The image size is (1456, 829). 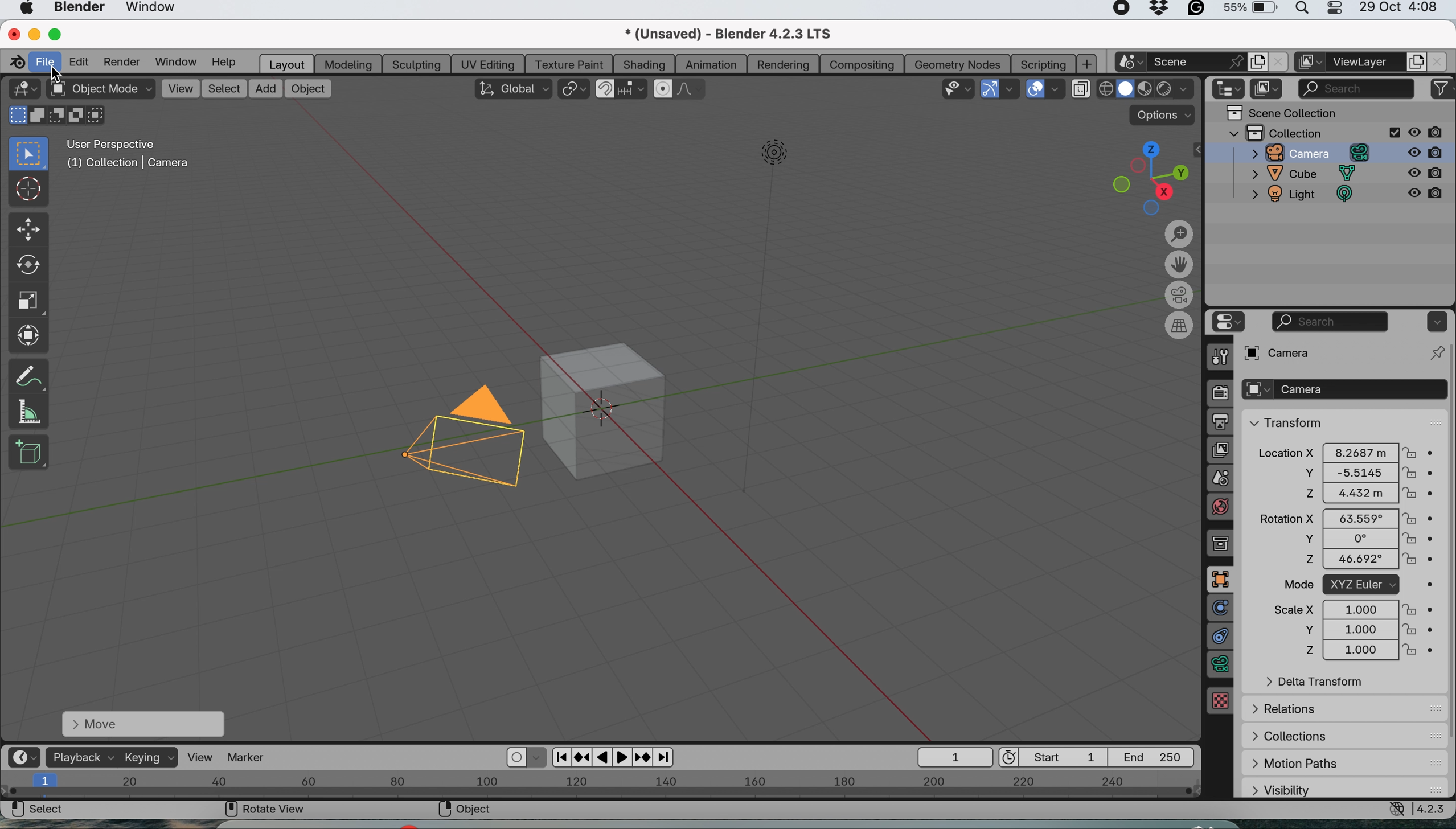 What do you see at coordinates (1365, 63) in the screenshot?
I see `view layer` at bounding box center [1365, 63].